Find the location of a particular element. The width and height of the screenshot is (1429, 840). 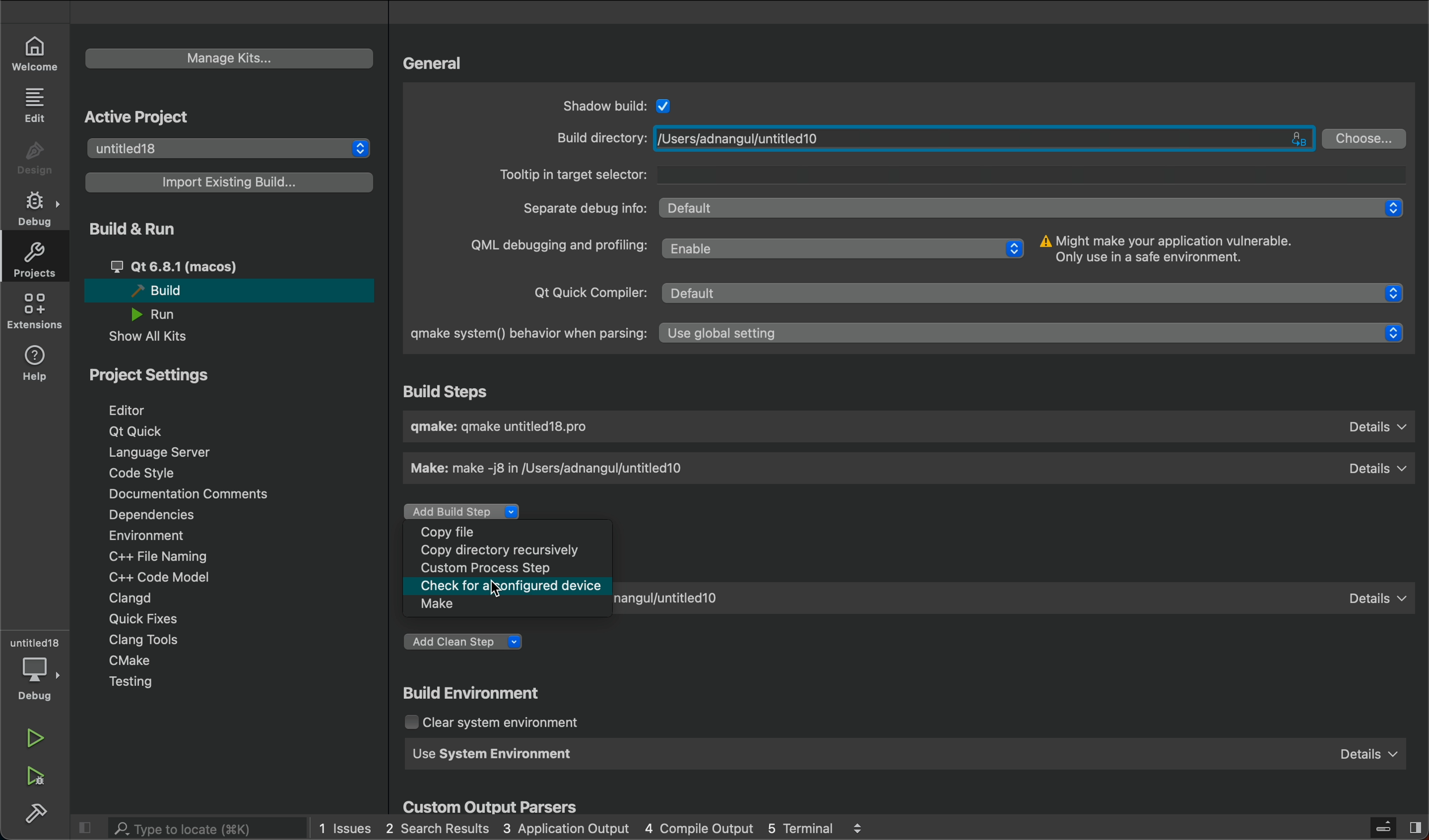

custom output parsers is located at coordinates (504, 803).